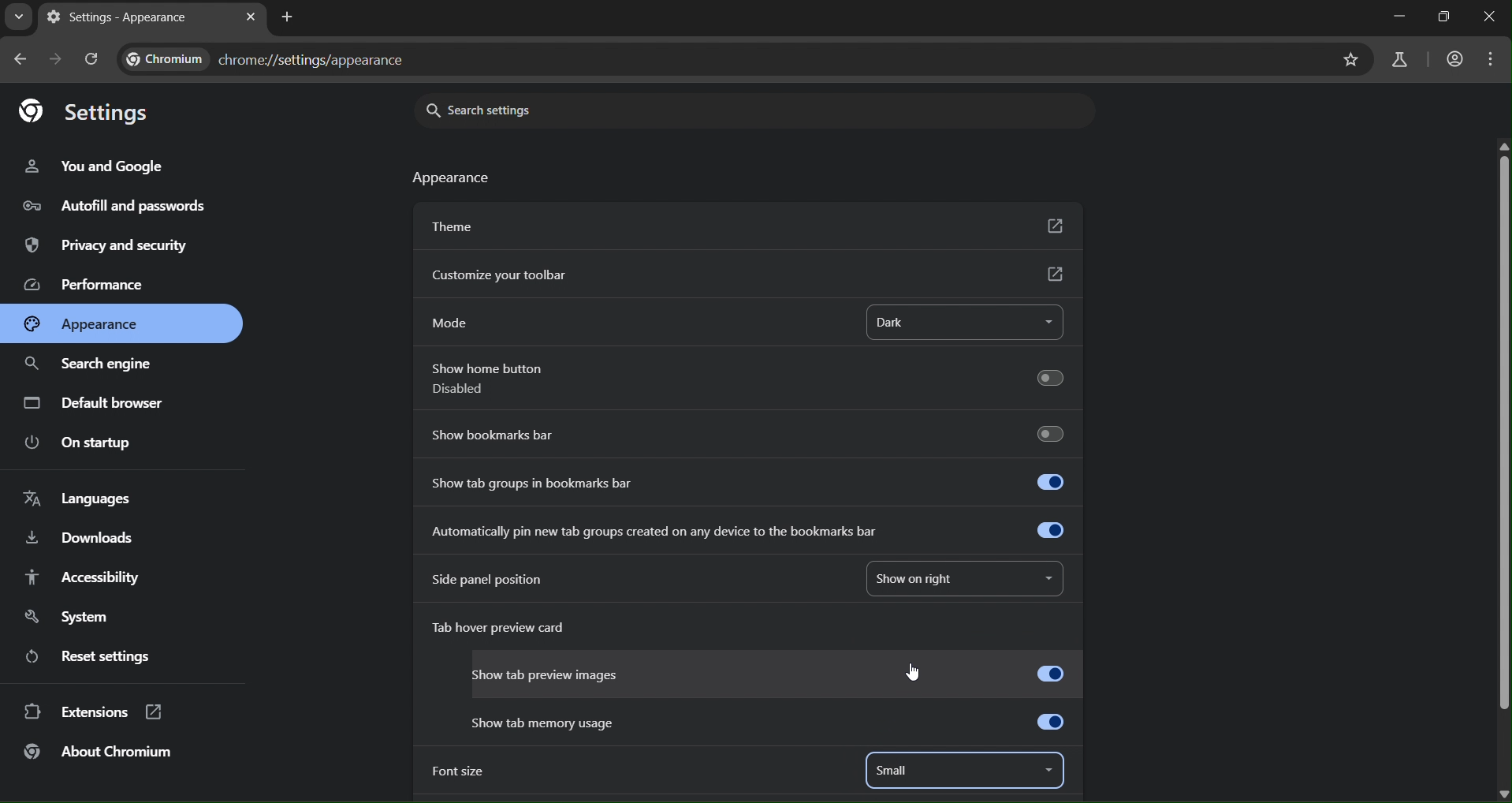  I want to click on minimize, so click(1401, 17).